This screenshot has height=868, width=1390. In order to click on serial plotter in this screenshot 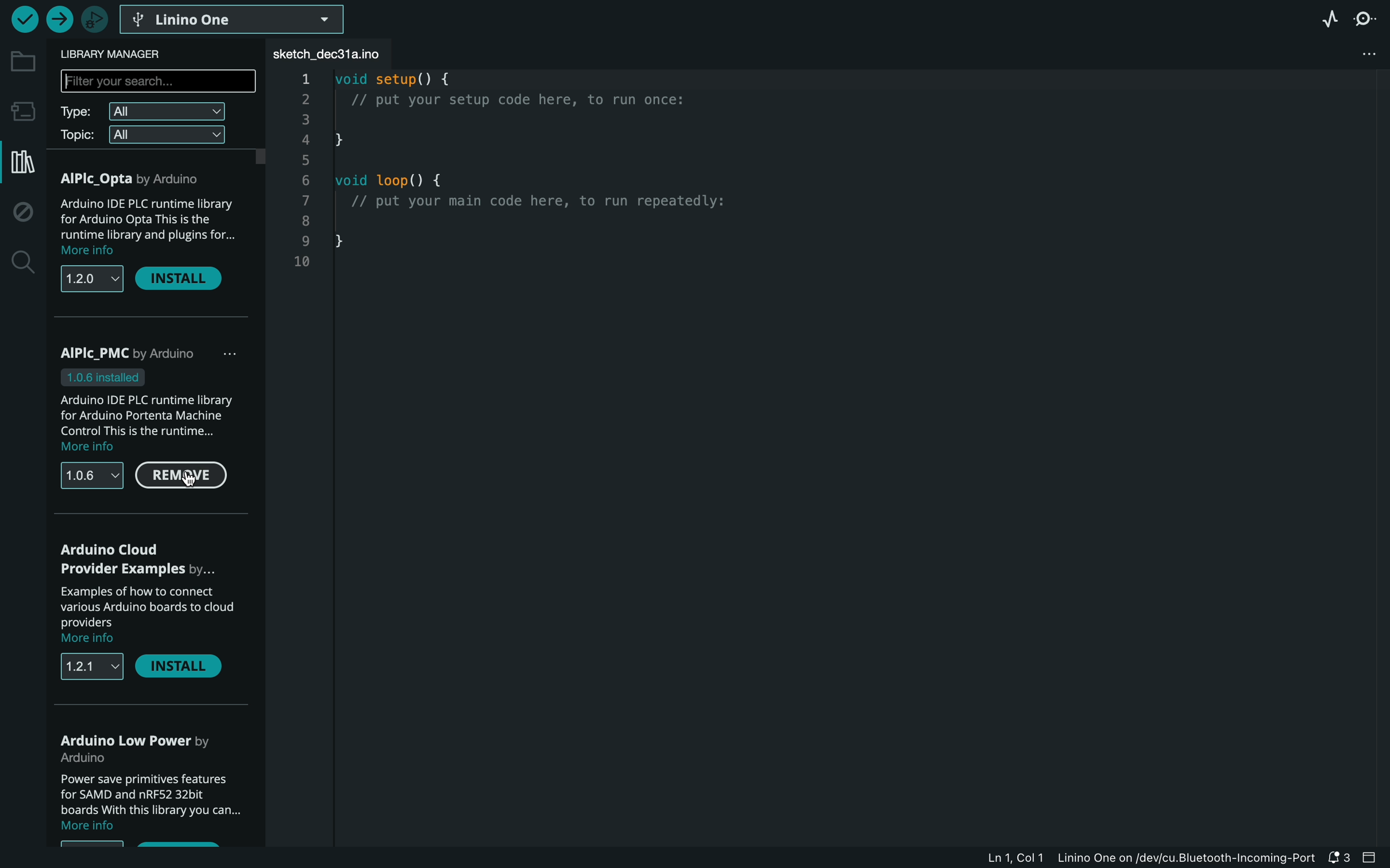, I will do `click(1330, 21)`.